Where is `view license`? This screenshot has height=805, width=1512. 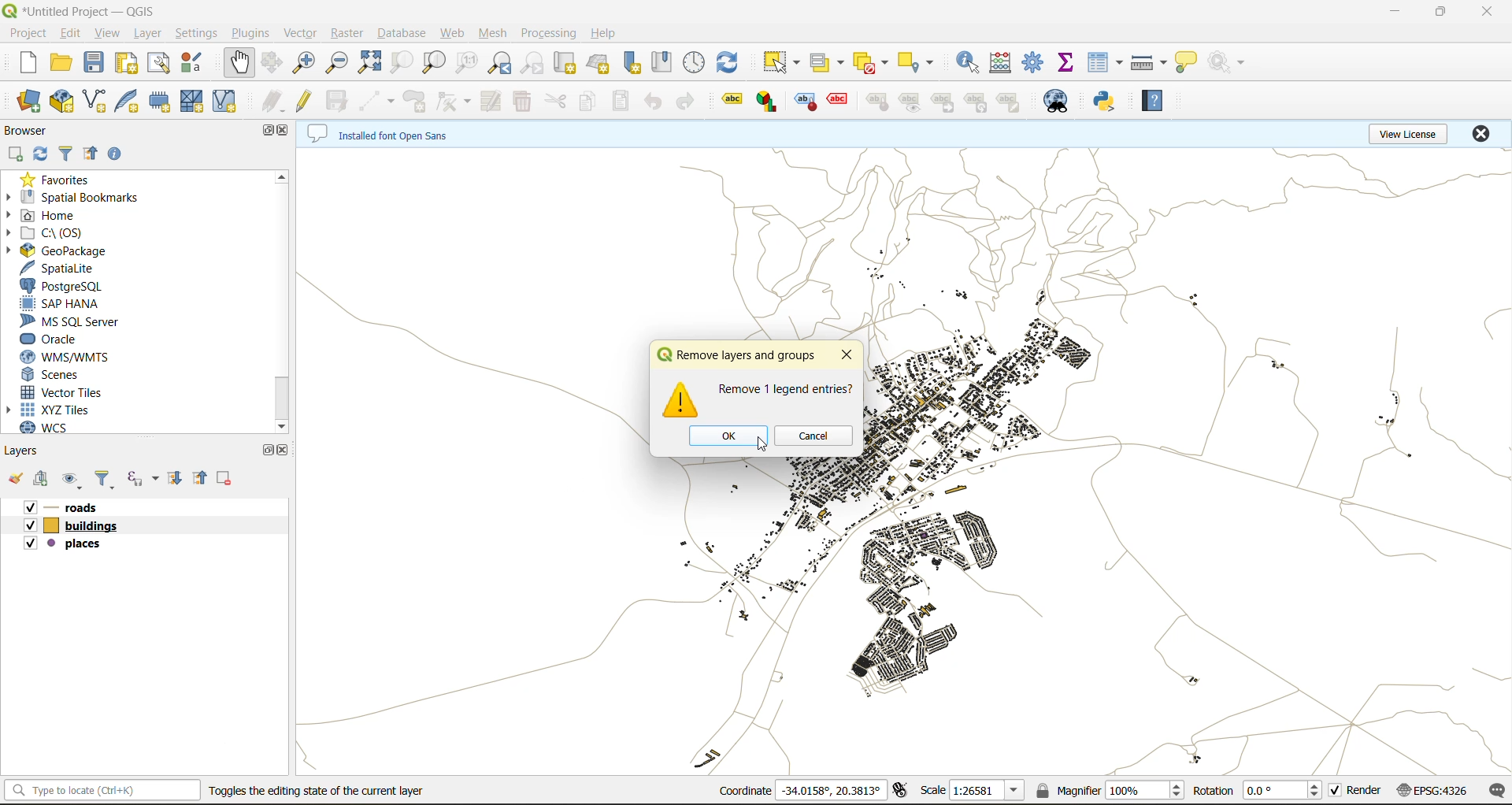
view license is located at coordinates (1413, 134).